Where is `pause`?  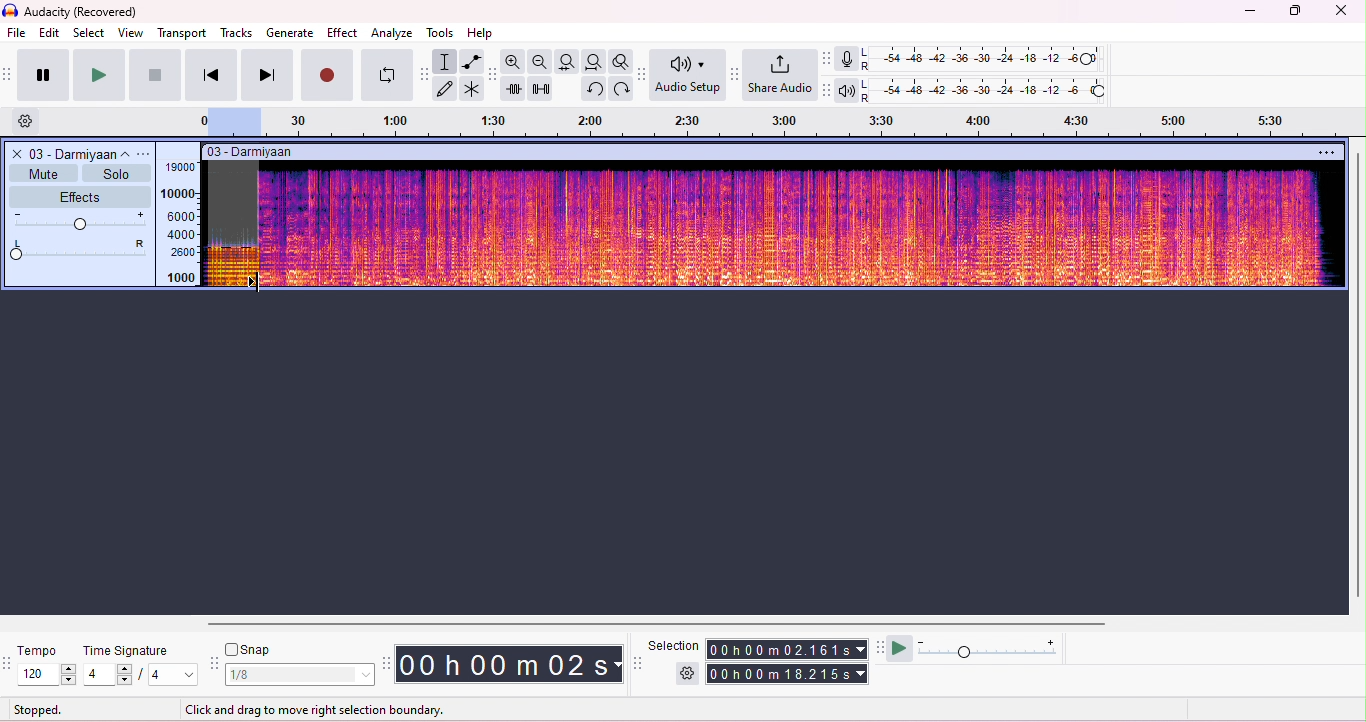
pause is located at coordinates (45, 74).